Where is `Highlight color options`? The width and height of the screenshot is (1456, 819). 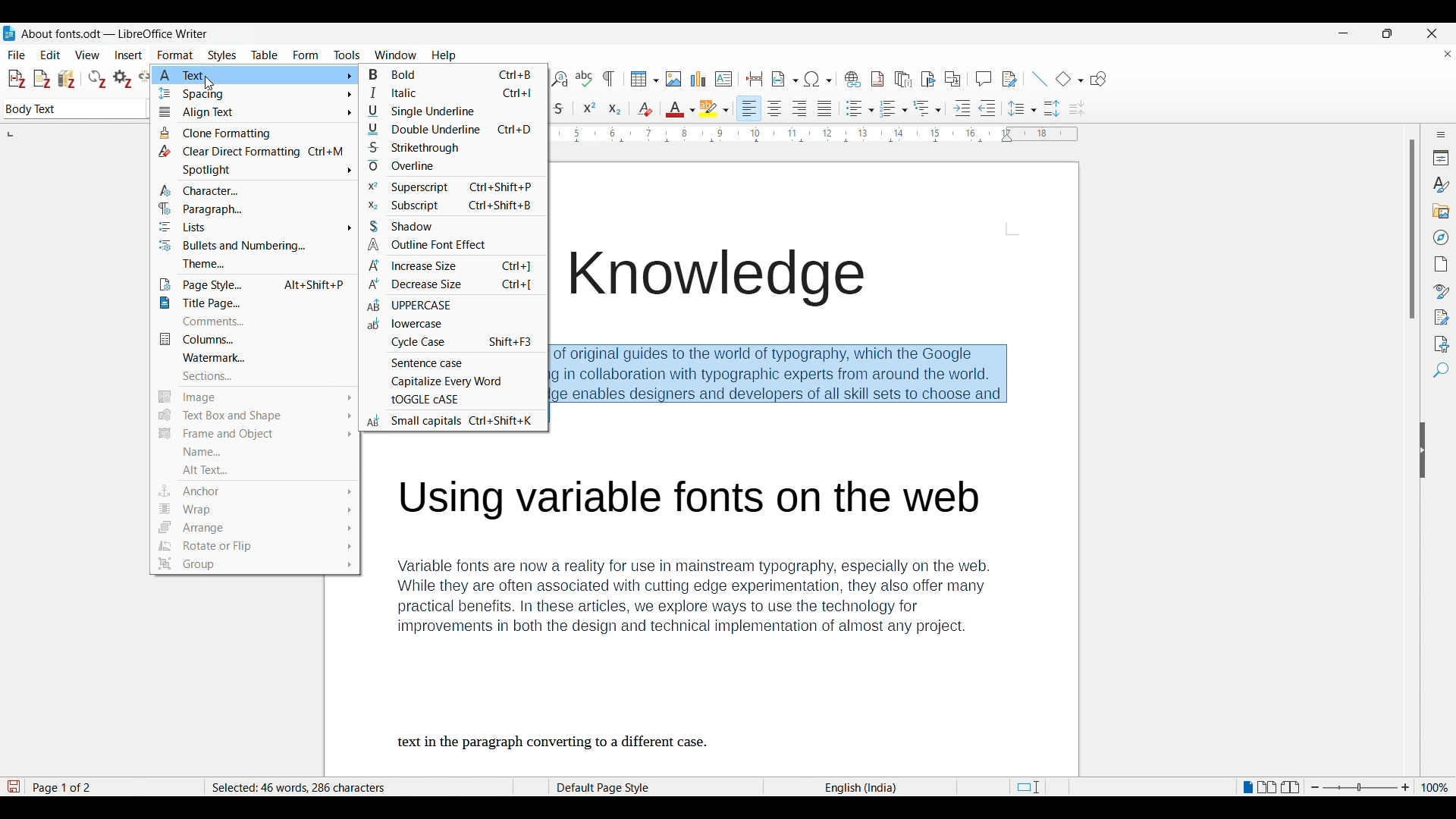 Highlight color options is located at coordinates (714, 108).